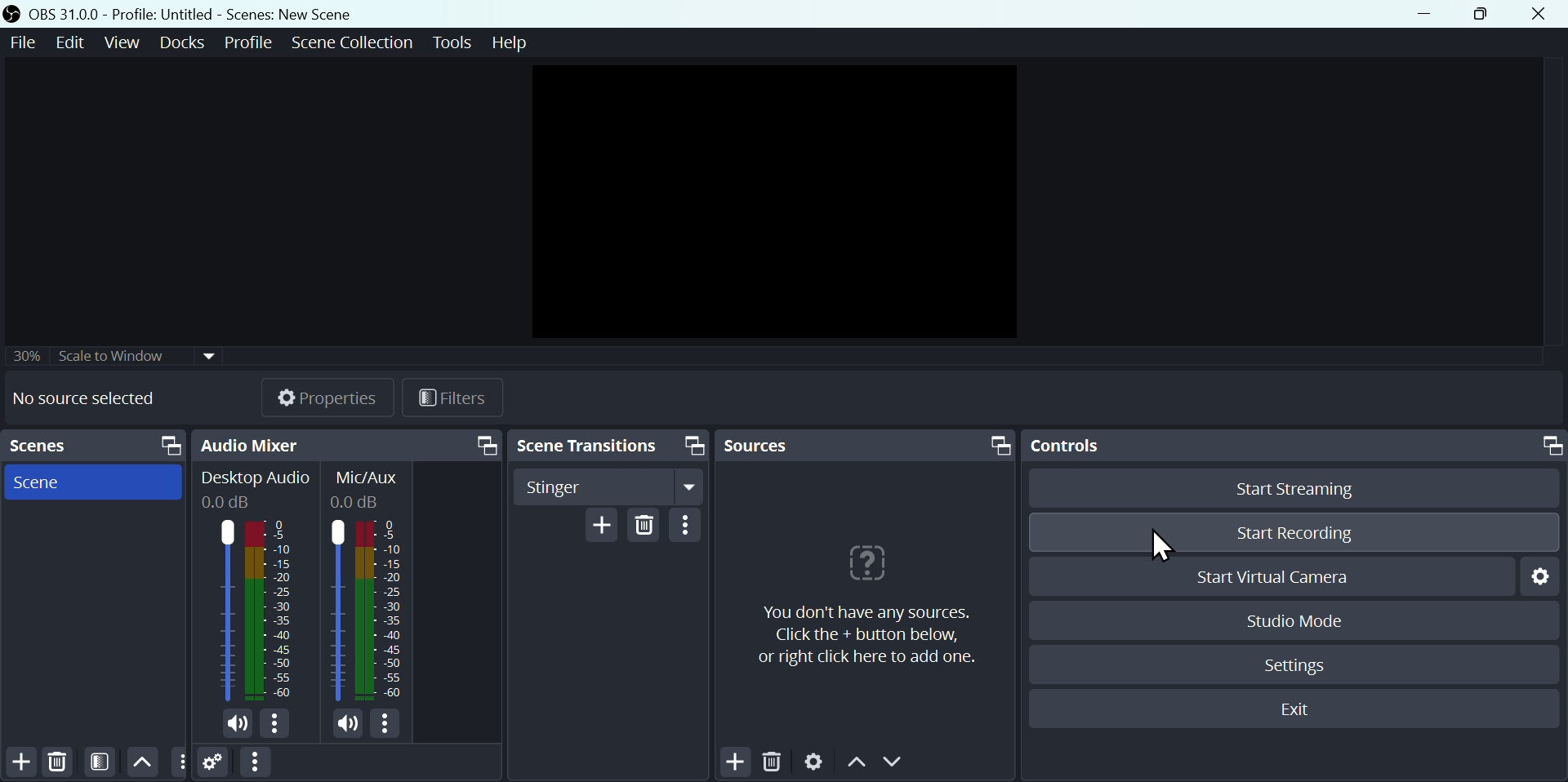 The height and width of the screenshot is (782, 1568). I want to click on Add, so click(735, 763).